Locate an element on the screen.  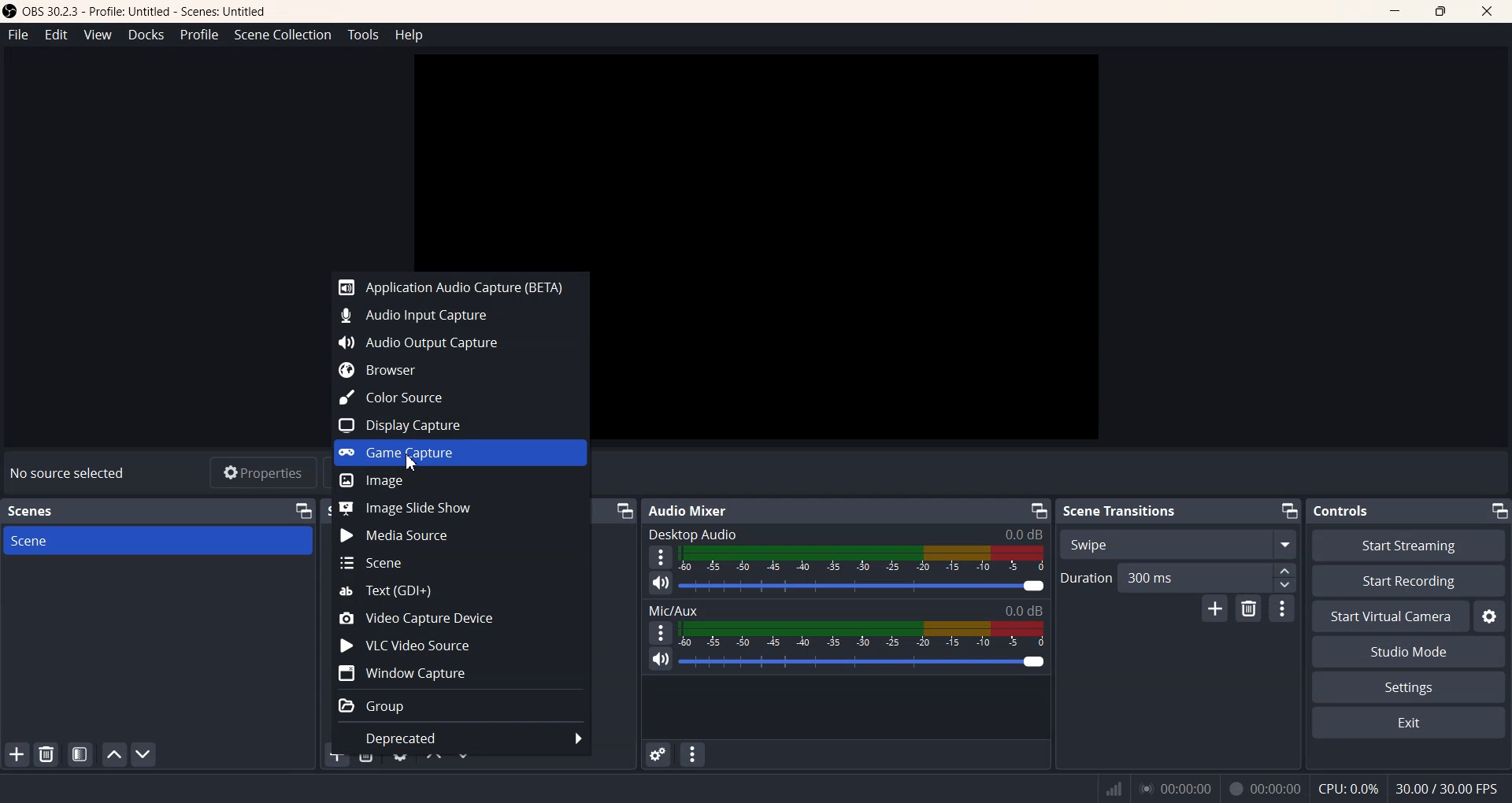
Scene is located at coordinates (157, 542).